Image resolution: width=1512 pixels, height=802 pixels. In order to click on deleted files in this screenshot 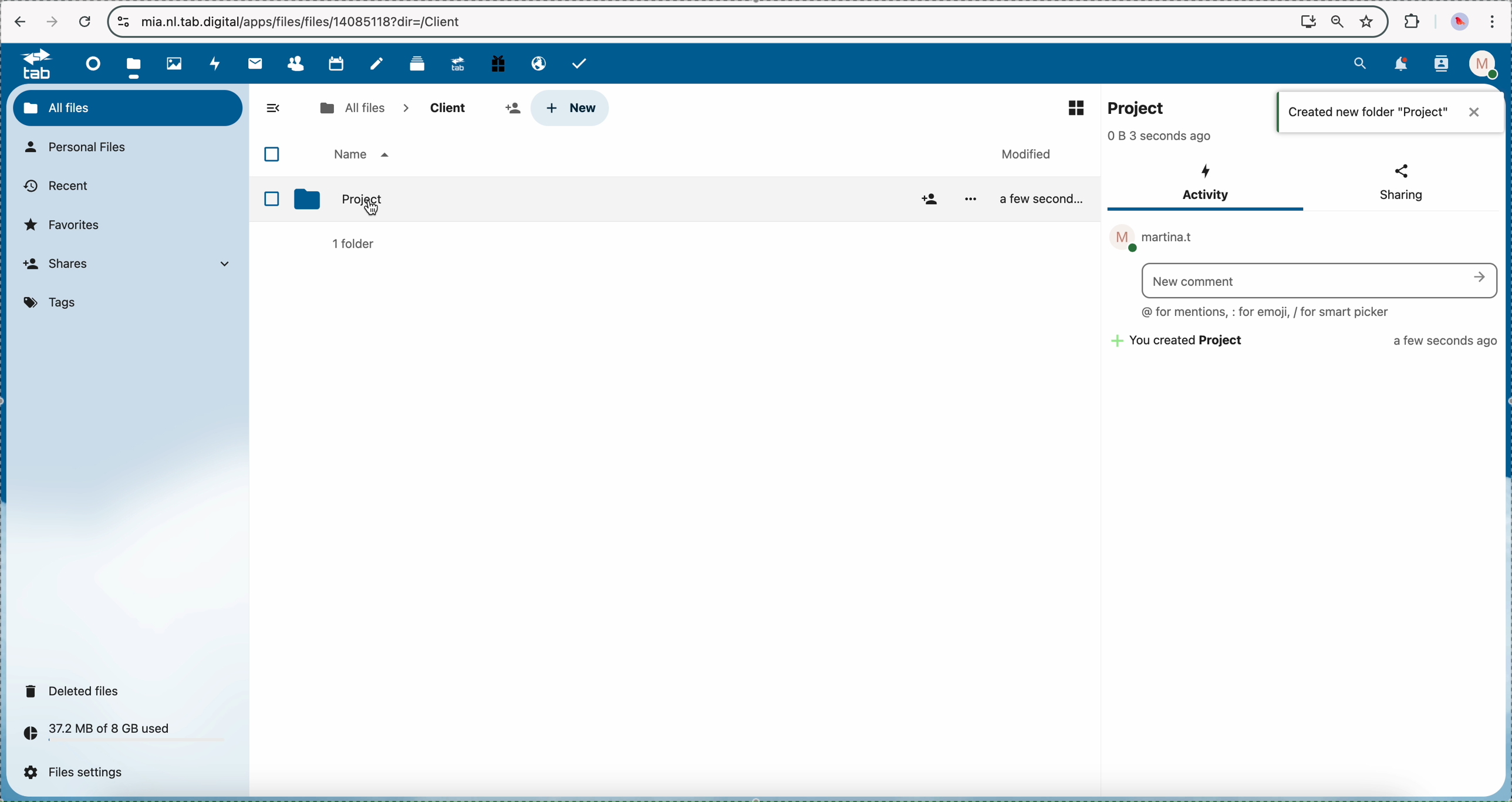, I will do `click(76, 690)`.